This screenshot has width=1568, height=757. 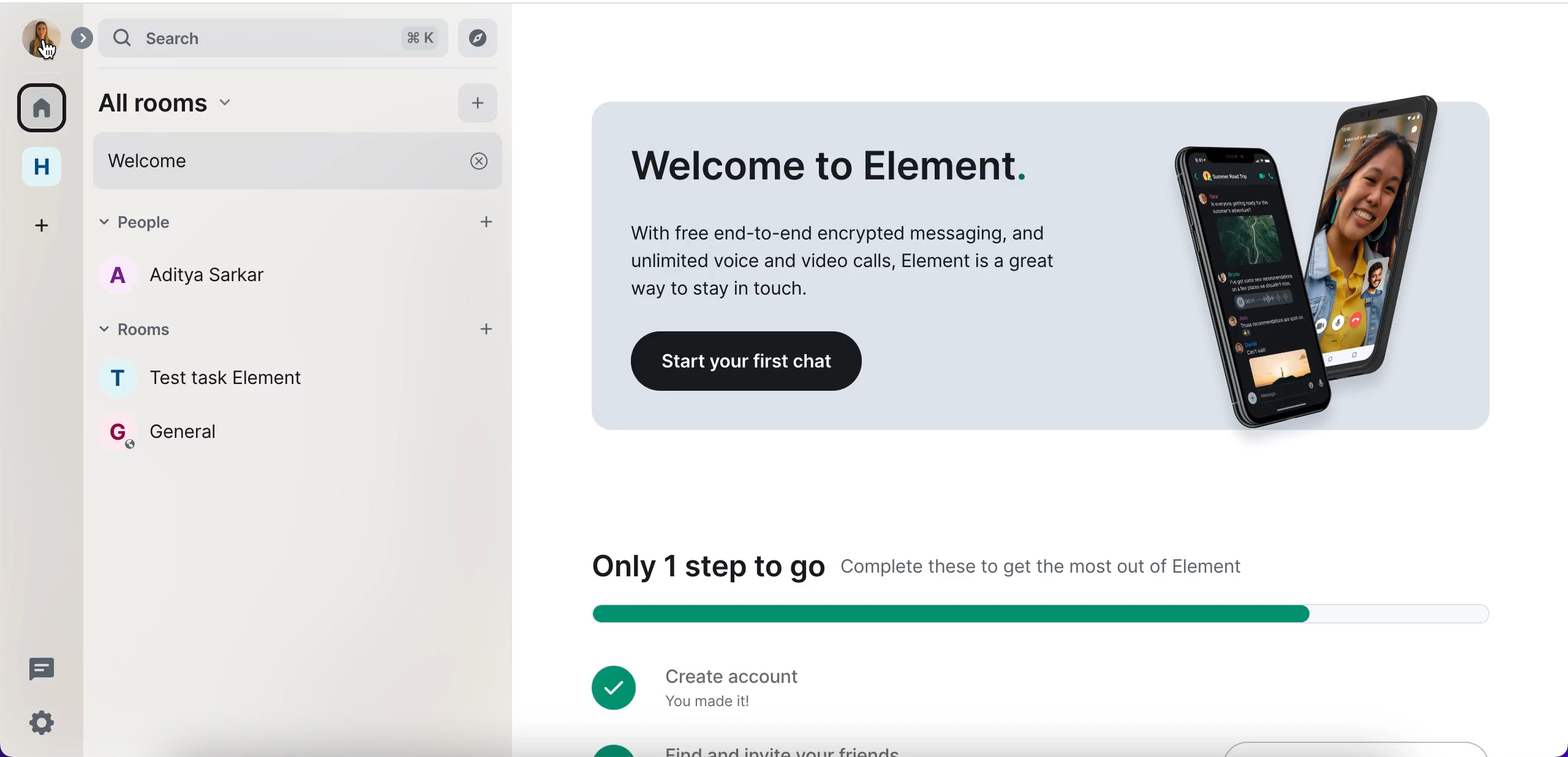 What do you see at coordinates (276, 38) in the screenshot?
I see `search` at bounding box center [276, 38].